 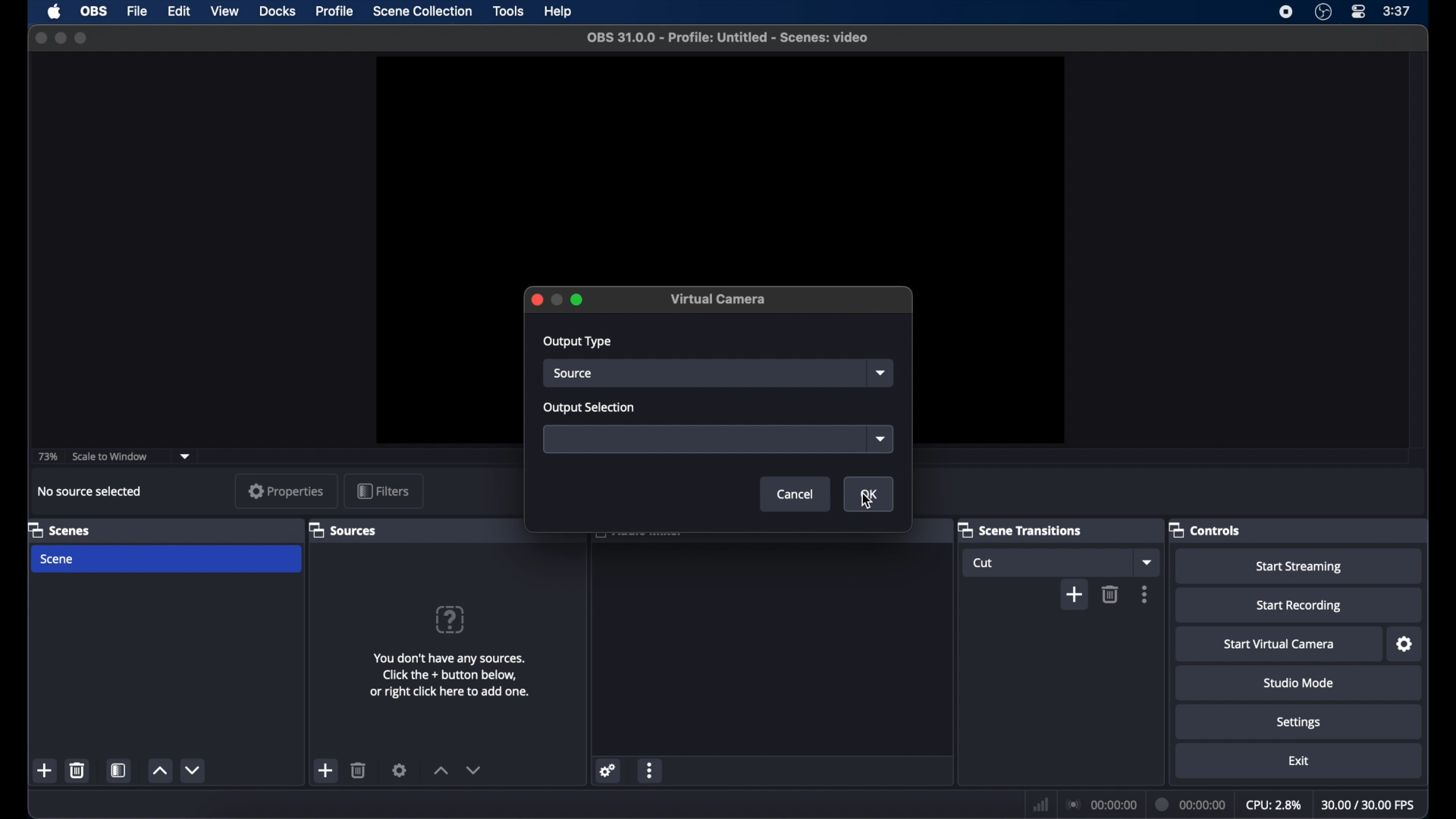 What do you see at coordinates (342, 530) in the screenshot?
I see `sources` at bounding box center [342, 530].